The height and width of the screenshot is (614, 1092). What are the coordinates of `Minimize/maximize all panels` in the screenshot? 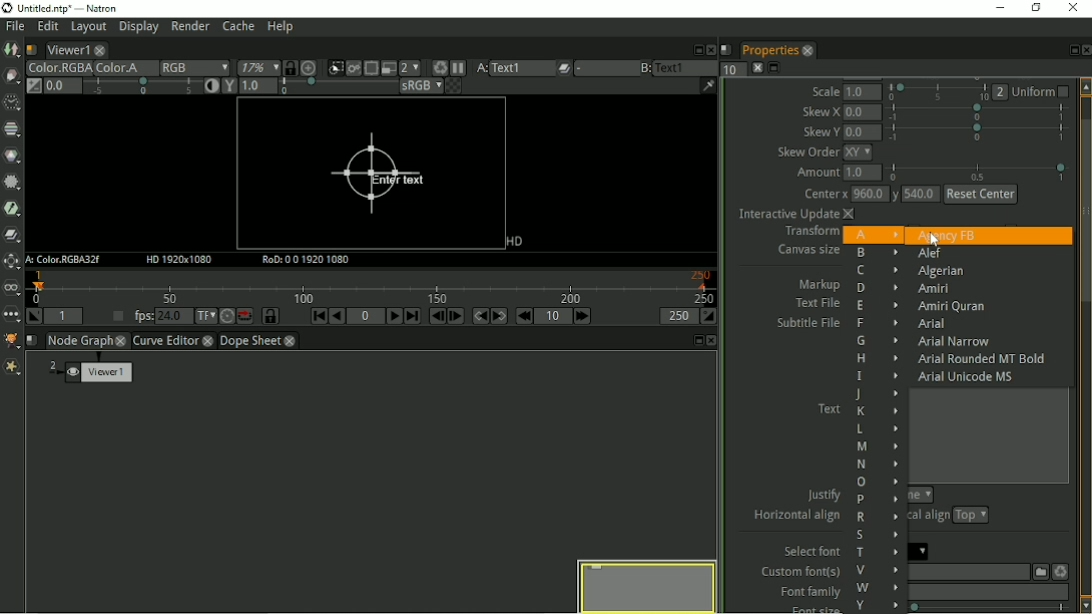 It's located at (776, 68).